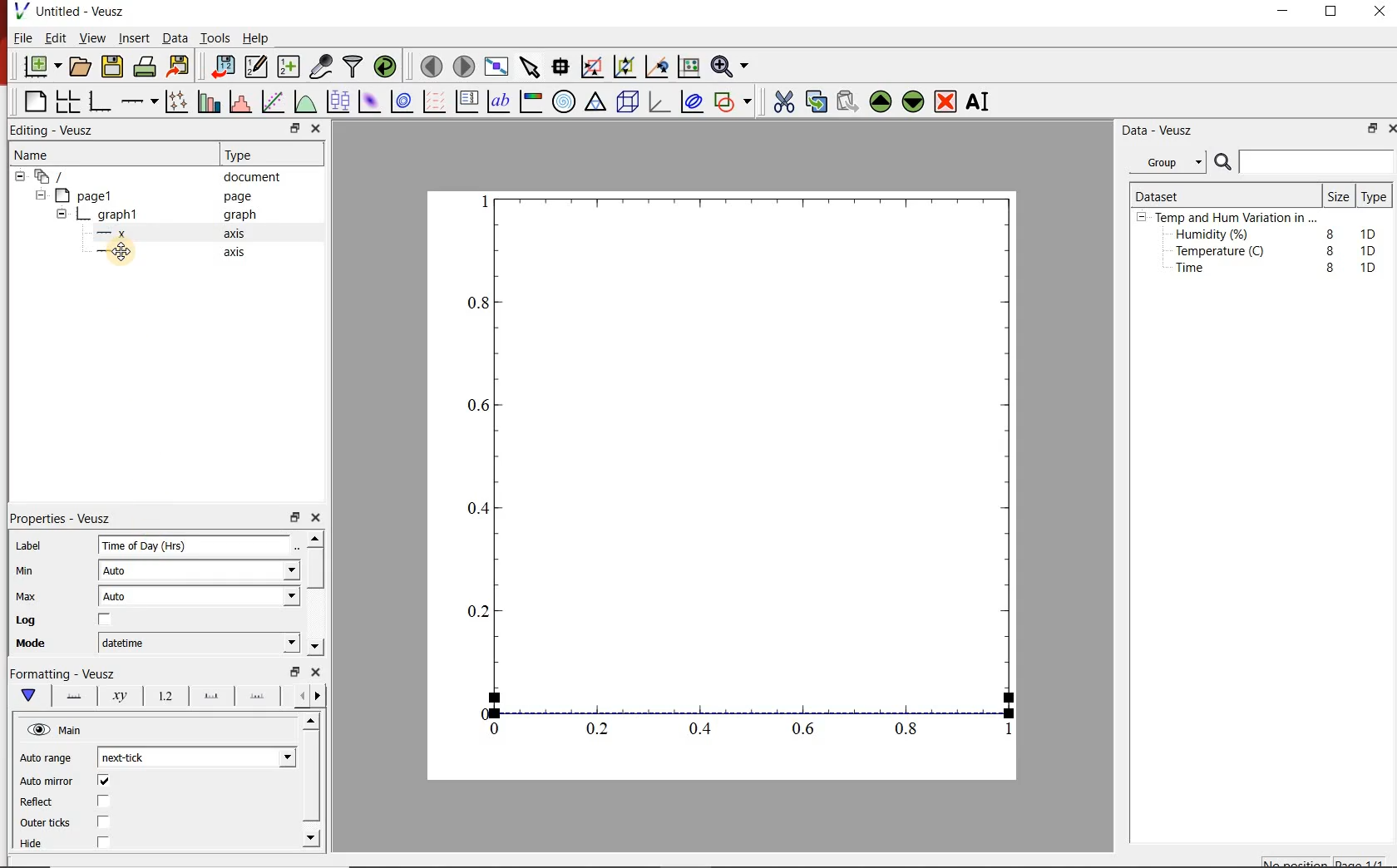 The image size is (1397, 868). I want to click on 8, so click(1327, 249).